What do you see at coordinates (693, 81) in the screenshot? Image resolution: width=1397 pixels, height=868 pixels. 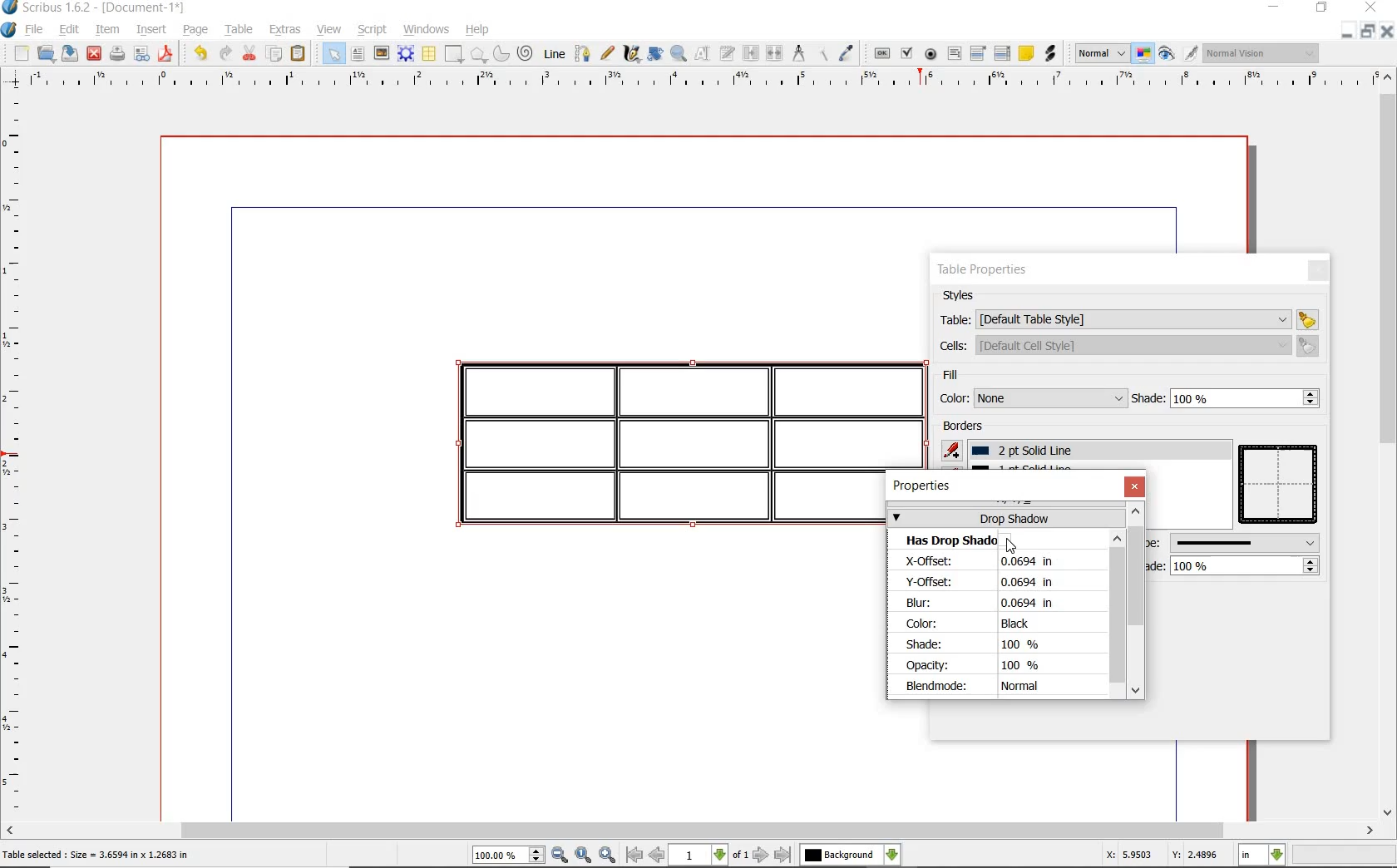 I see `ruler` at bounding box center [693, 81].